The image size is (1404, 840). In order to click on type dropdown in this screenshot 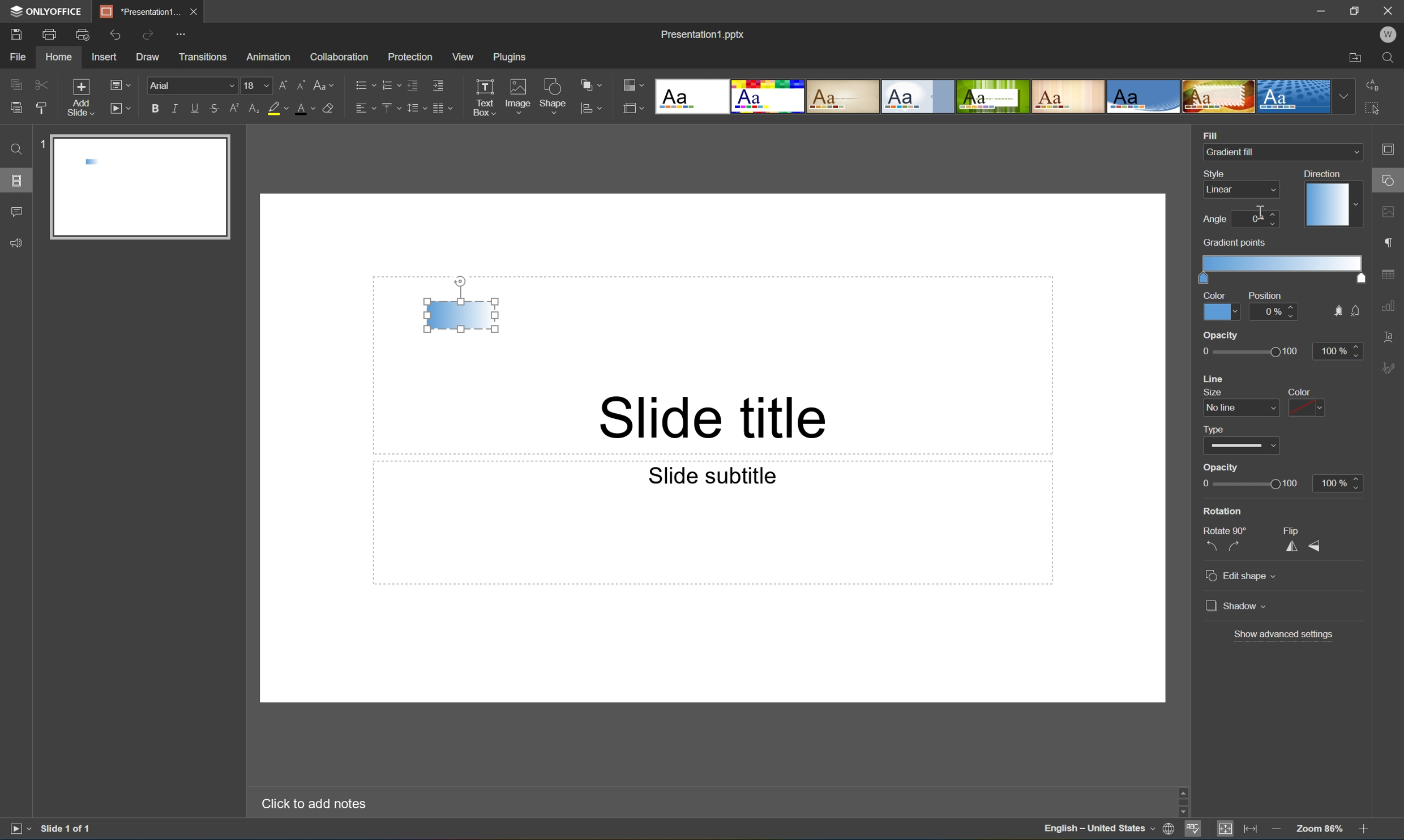, I will do `click(1243, 446)`.